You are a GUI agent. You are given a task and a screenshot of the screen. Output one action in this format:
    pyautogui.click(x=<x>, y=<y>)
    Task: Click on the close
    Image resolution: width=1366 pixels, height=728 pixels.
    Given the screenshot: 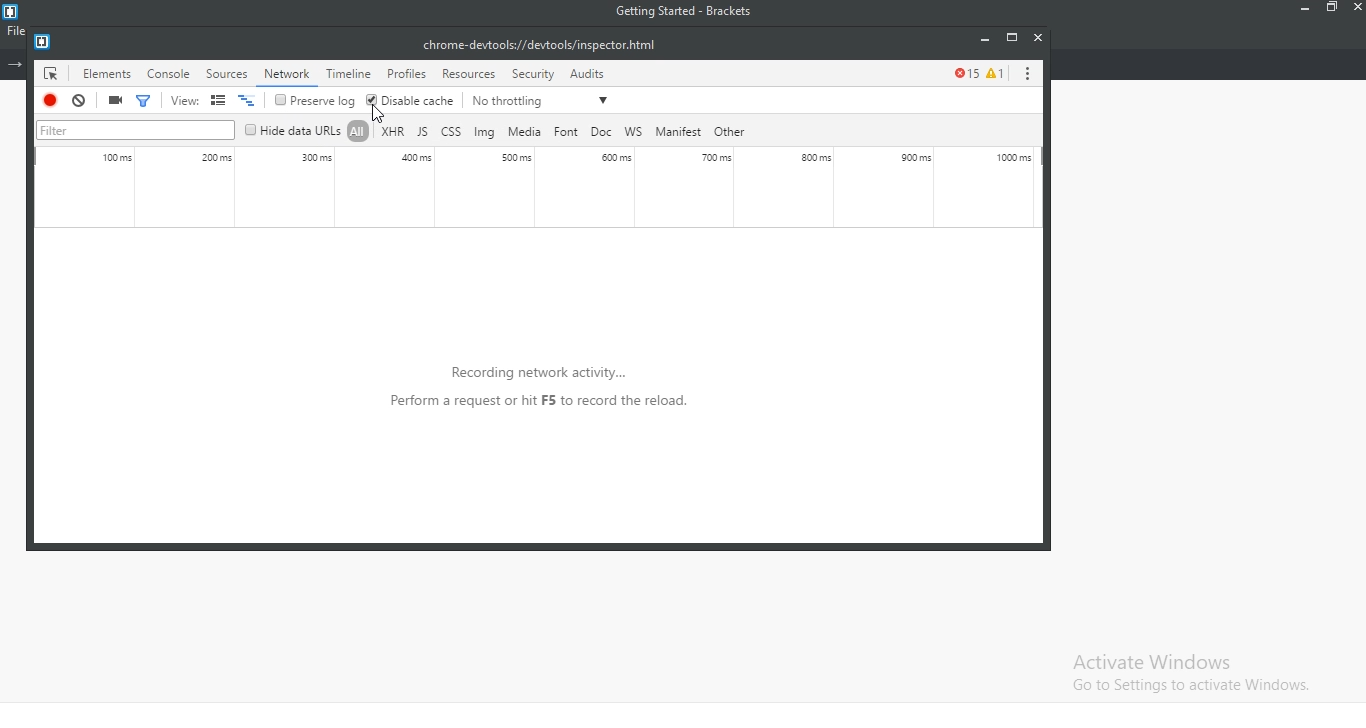 What is the action you would take?
    pyautogui.click(x=1355, y=11)
    